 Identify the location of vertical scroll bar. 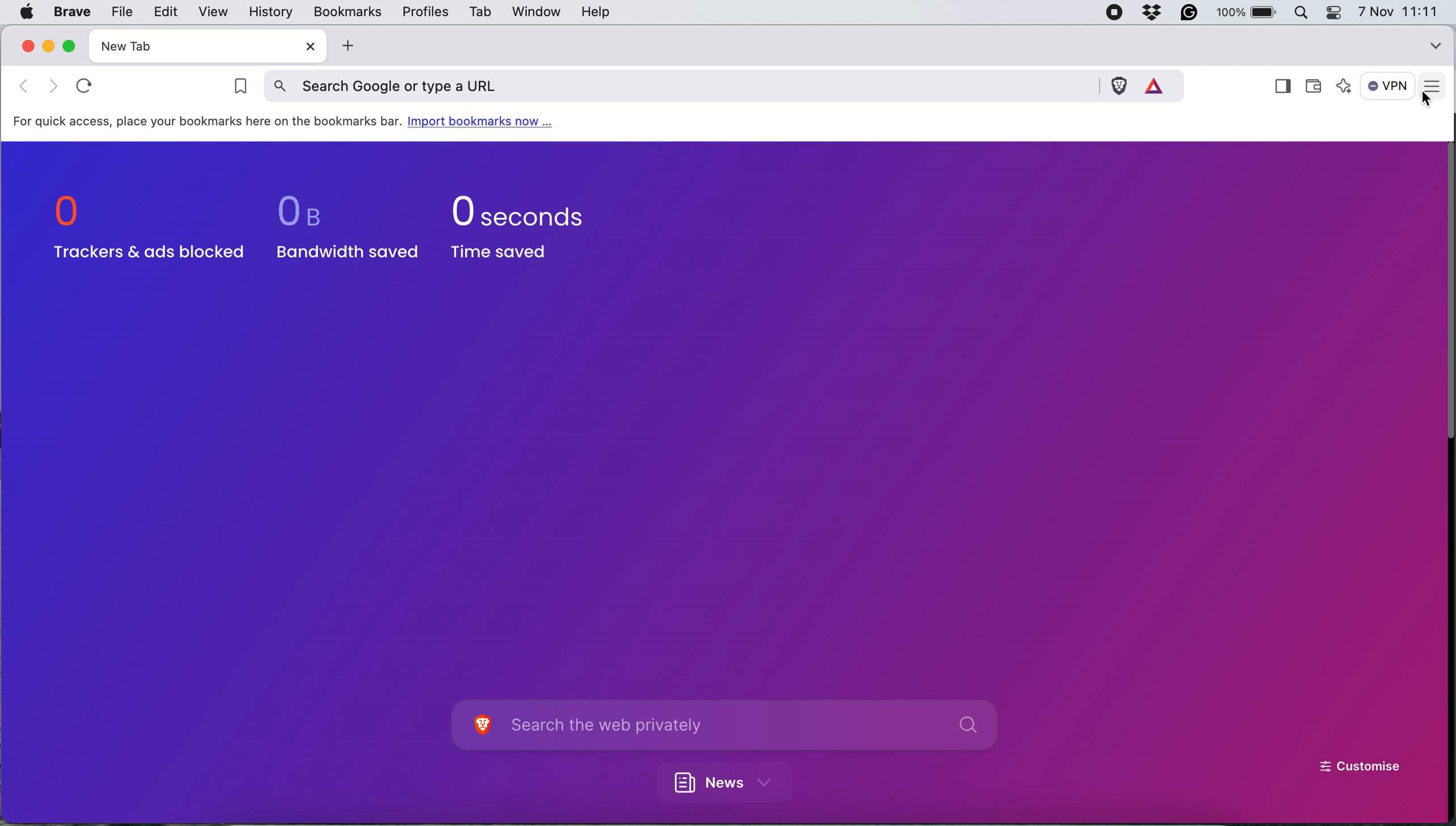
(1444, 294).